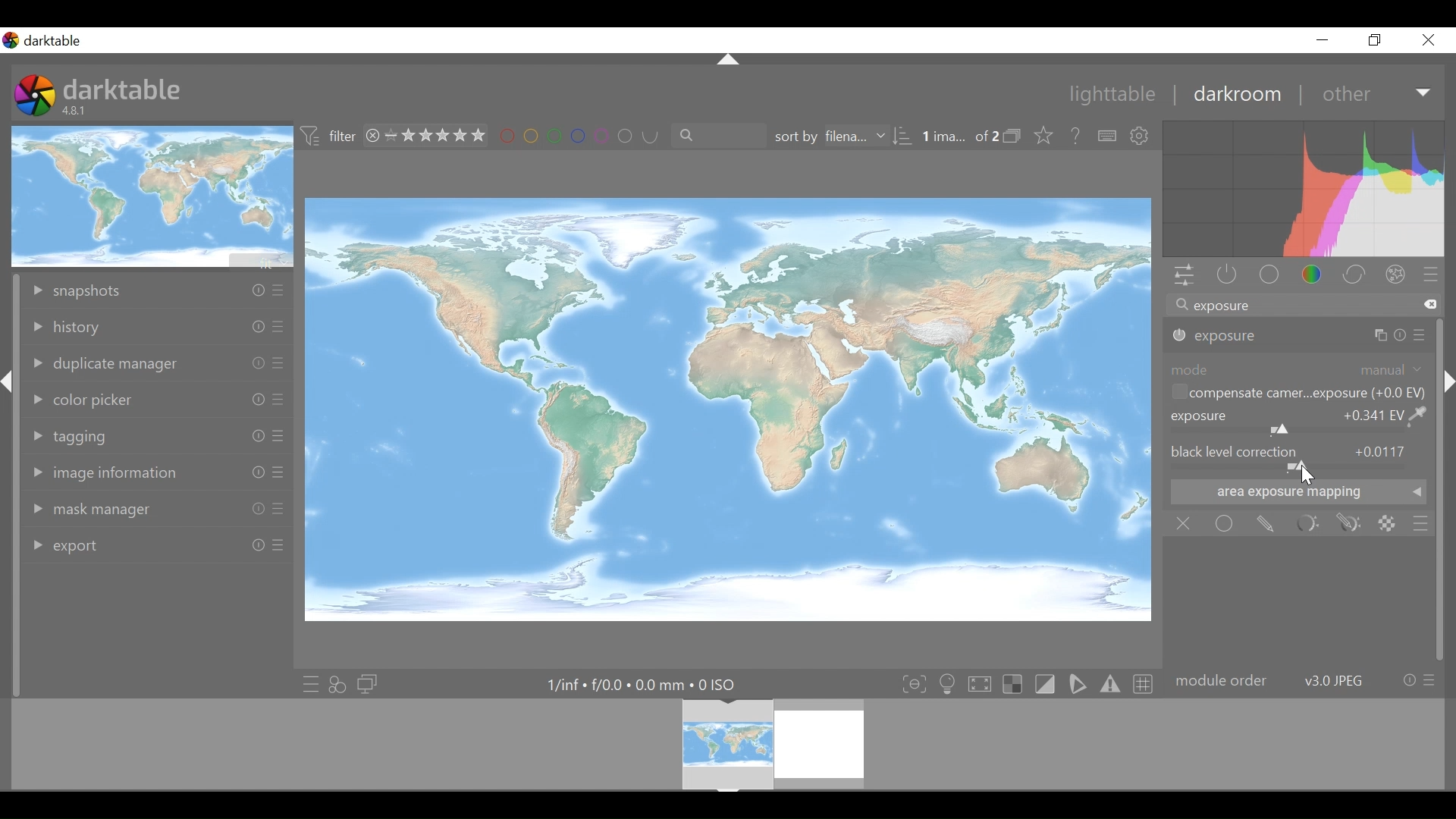 The height and width of the screenshot is (819, 1456). What do you see at coordinates (1012, 684) in the screenshot?
I see `toggle indication of raw overexposure` at bounding box center [1012, 684].